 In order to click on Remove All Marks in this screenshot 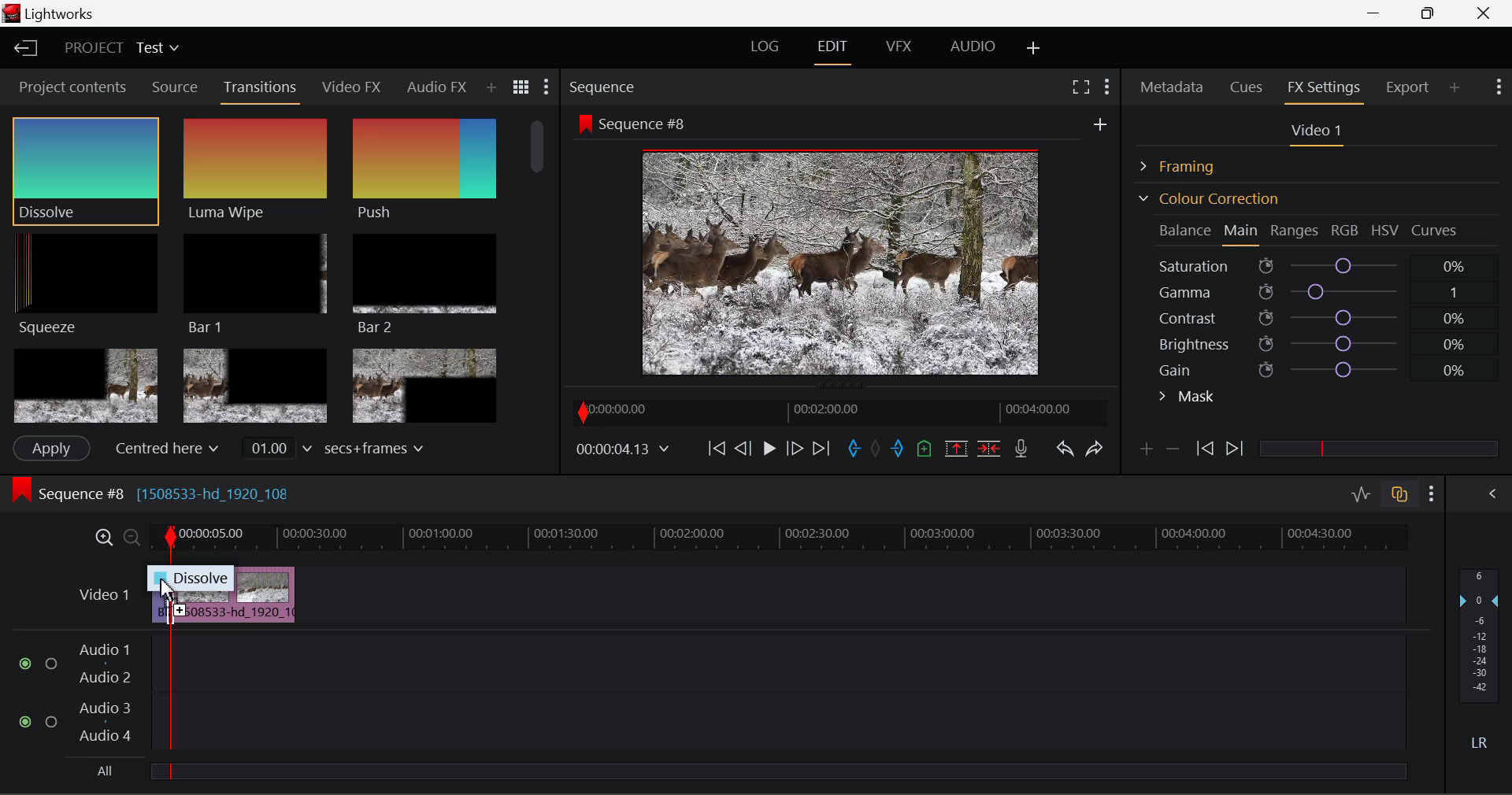, I will do `click(877, 450)`.